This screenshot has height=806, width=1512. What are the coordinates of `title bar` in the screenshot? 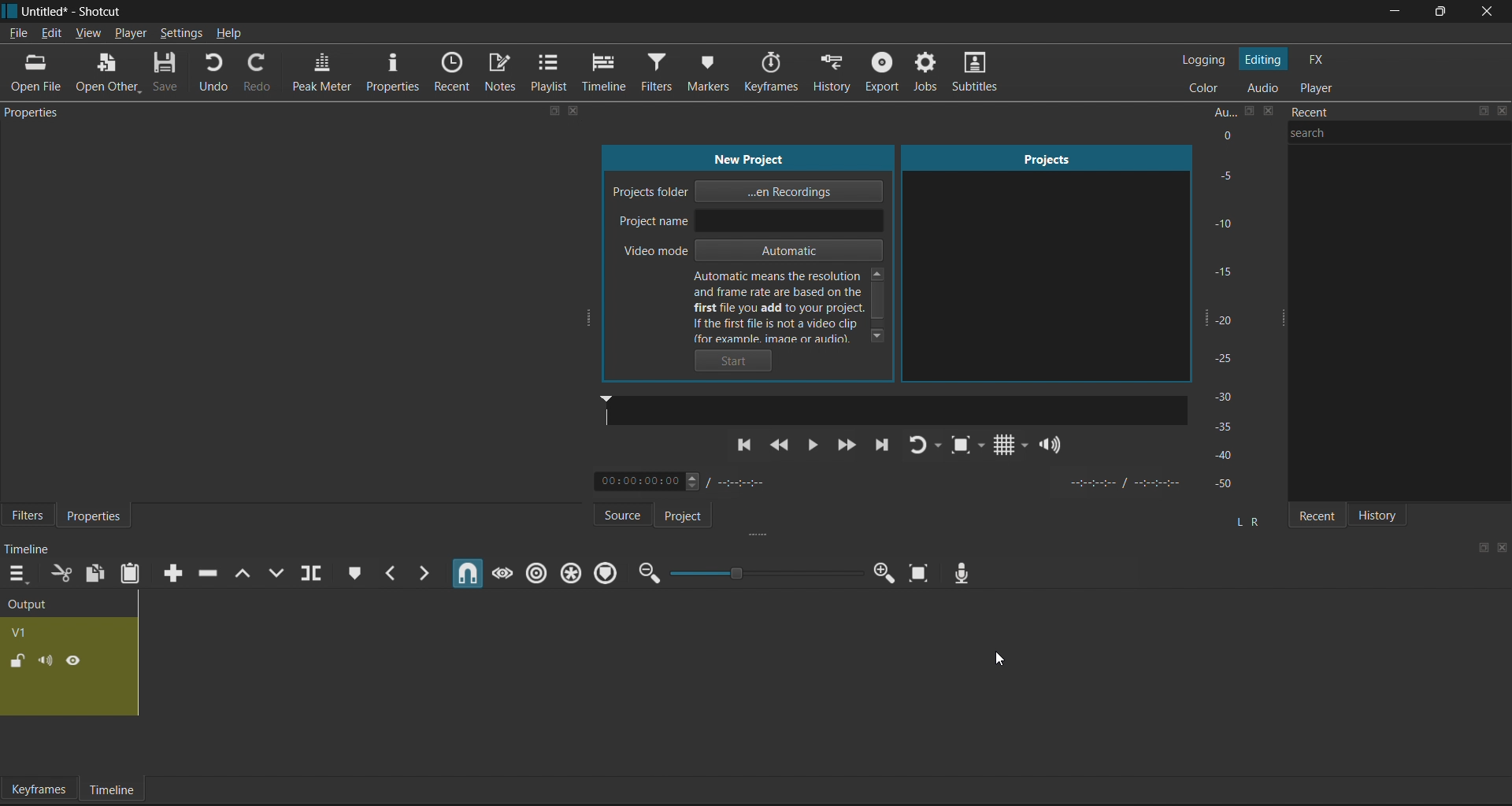 It's located at (694, 12).